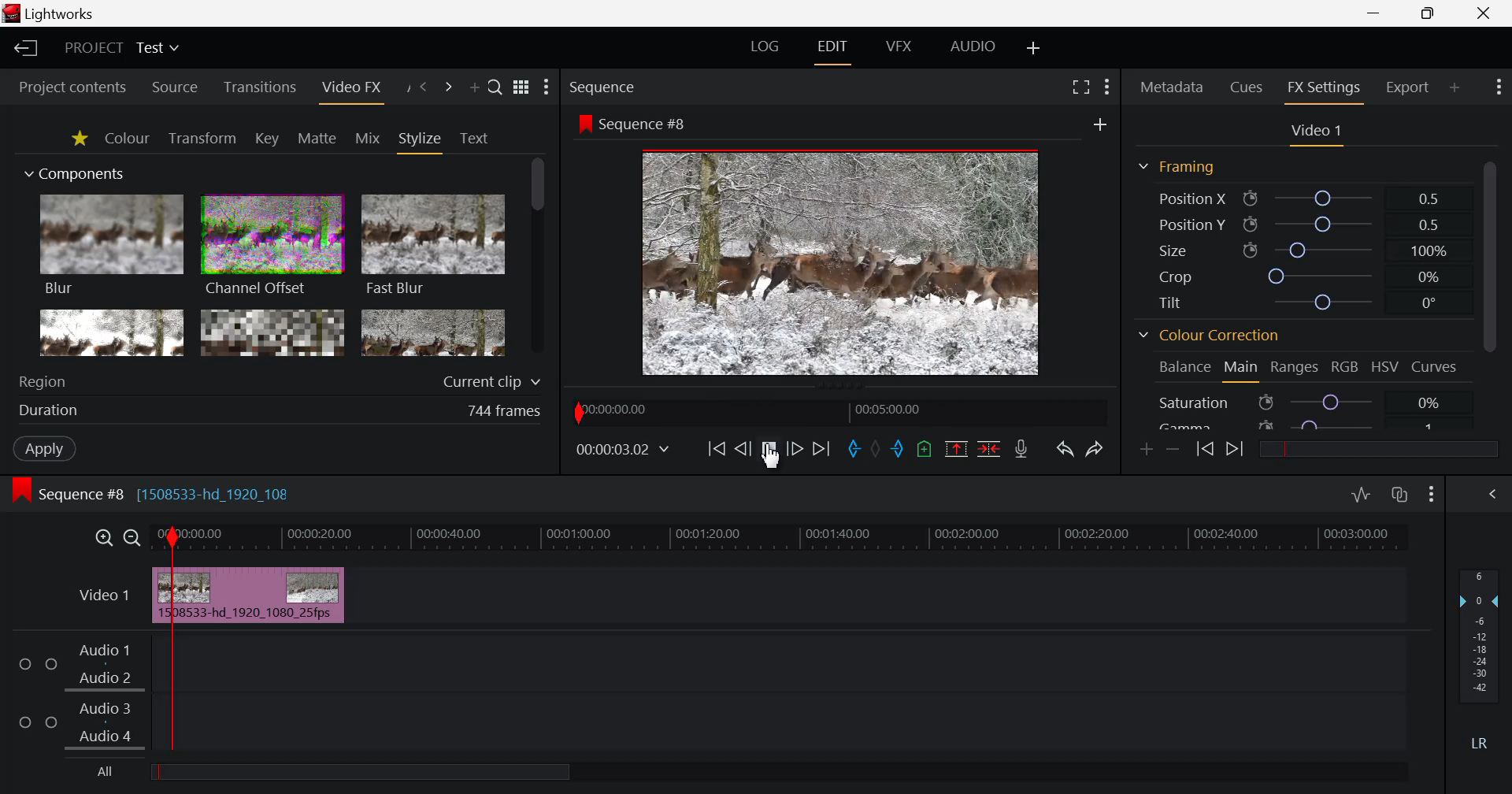  Describe the element at coordinates (1296, 368) in the screenshot. I see `Ranges` at that location.